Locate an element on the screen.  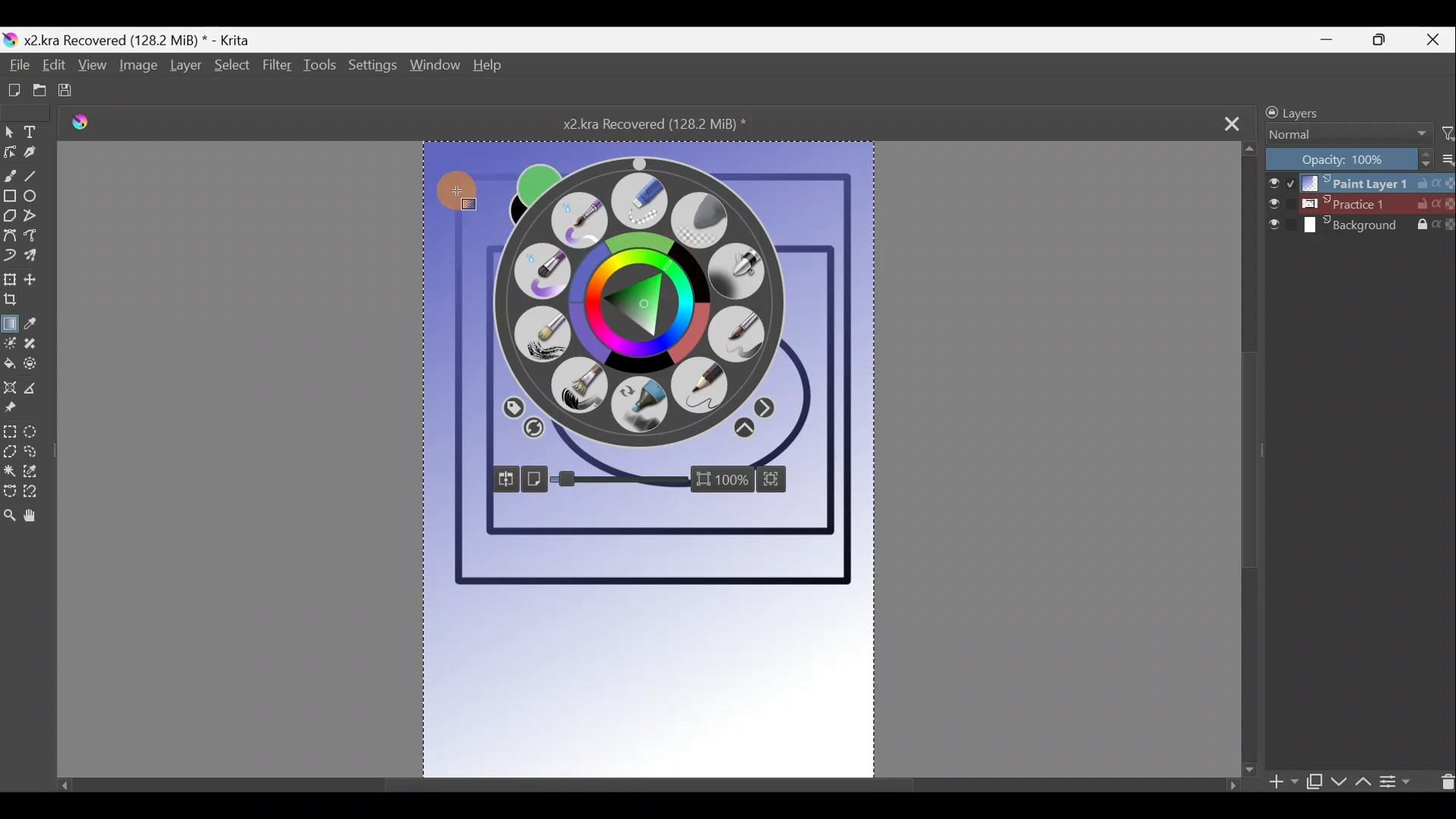
Show just the canvas/whole window is located at coordinates (538, 478).